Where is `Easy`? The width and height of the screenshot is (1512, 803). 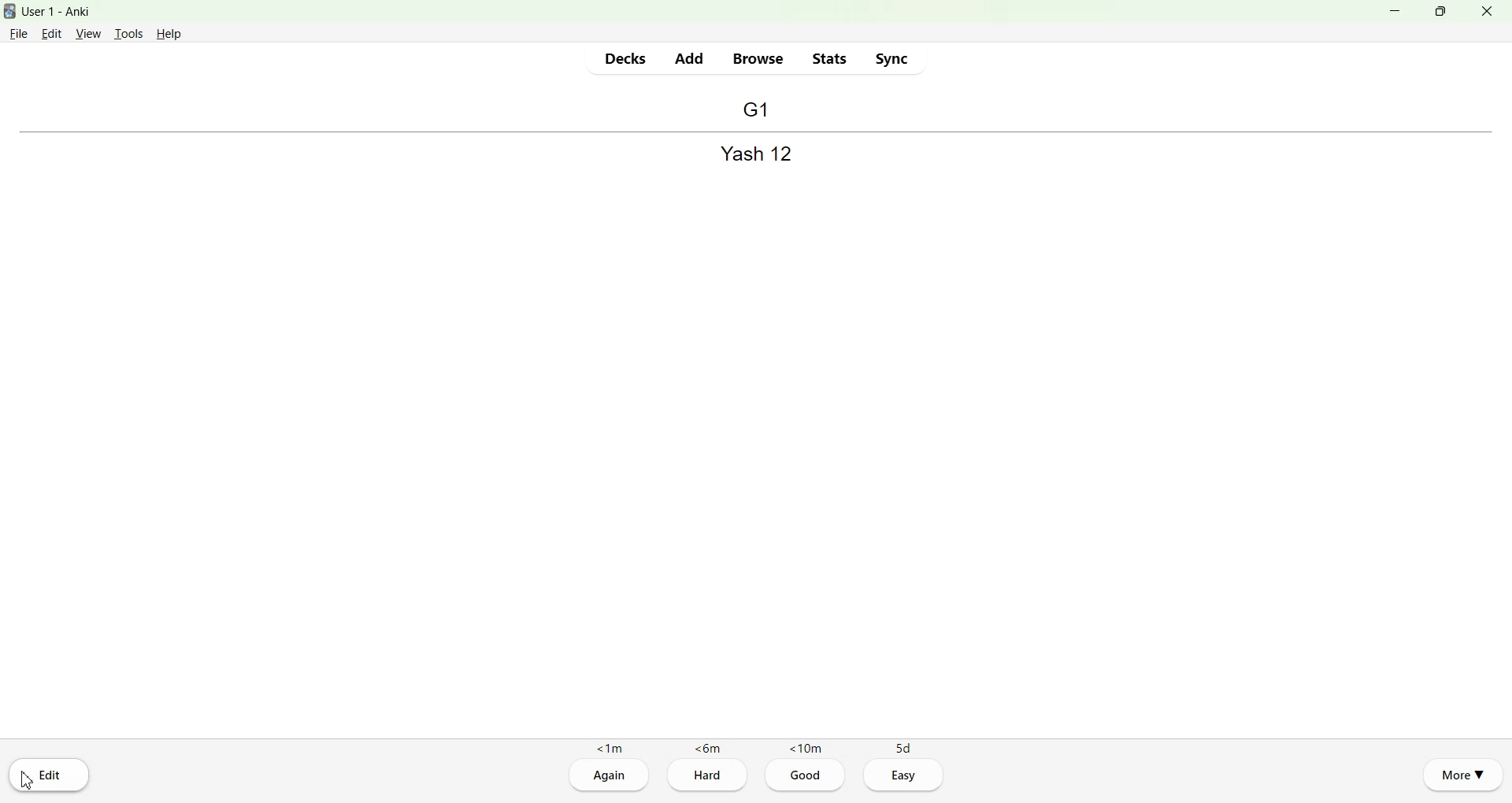 Easy is located at coordinates (905, 775).